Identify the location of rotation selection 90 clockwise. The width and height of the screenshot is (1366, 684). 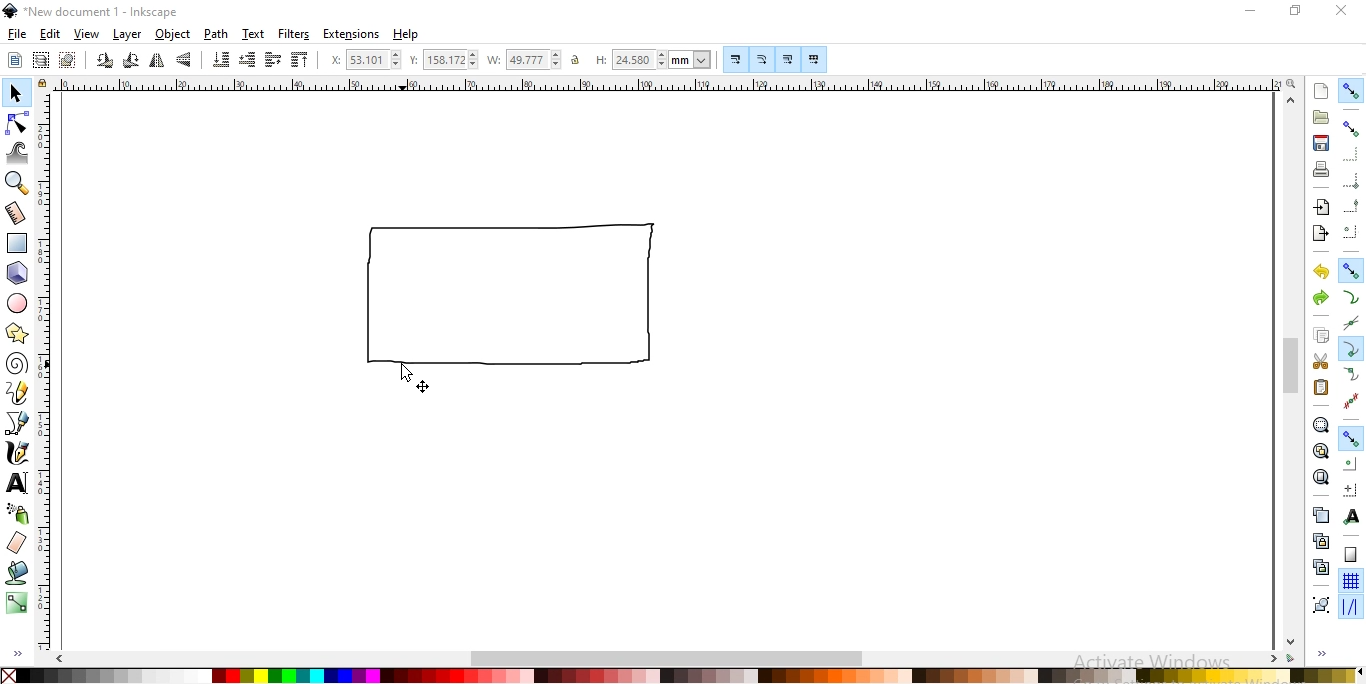
(132, 60).